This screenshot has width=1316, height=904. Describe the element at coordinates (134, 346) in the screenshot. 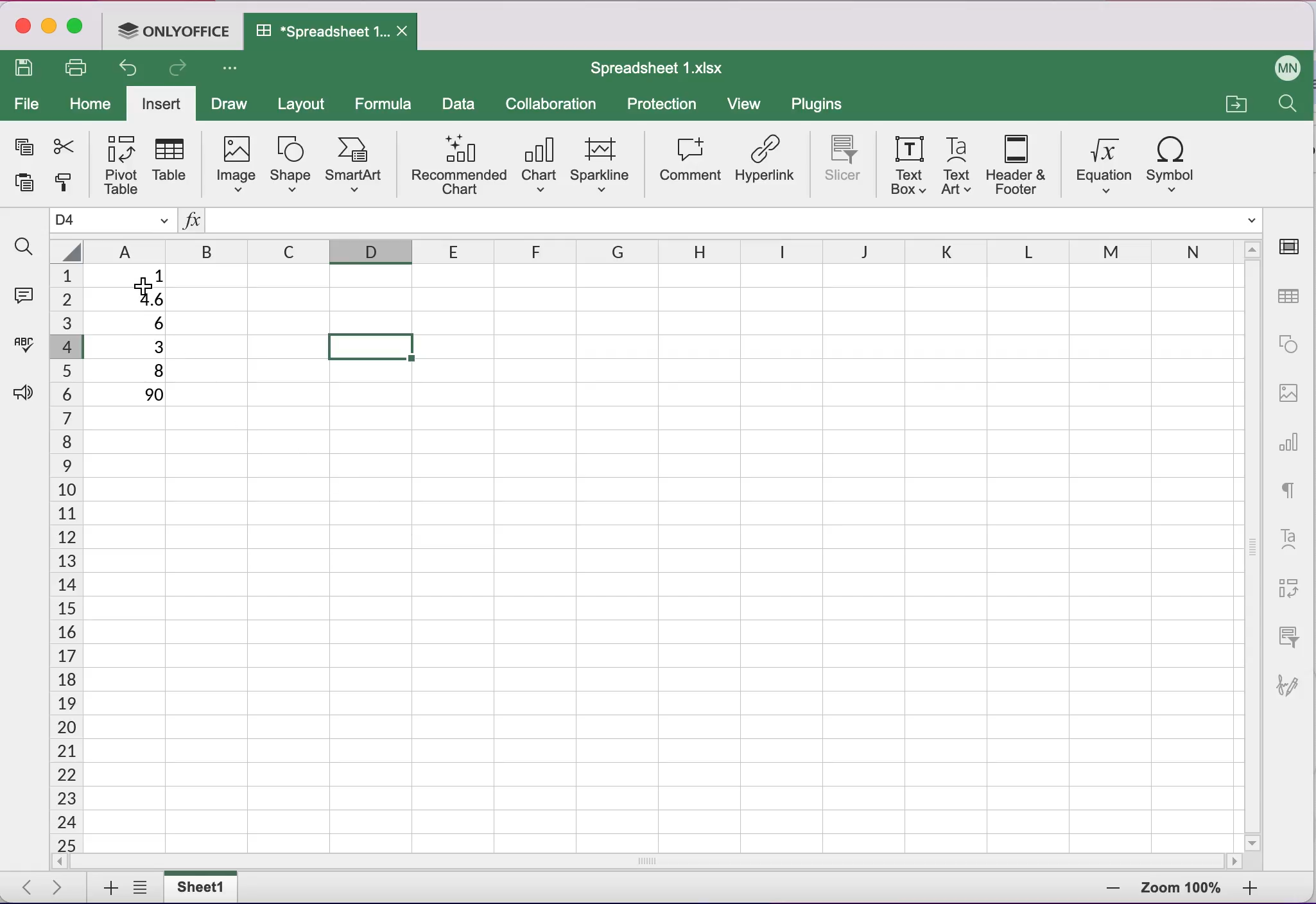

I see `3` at that location.